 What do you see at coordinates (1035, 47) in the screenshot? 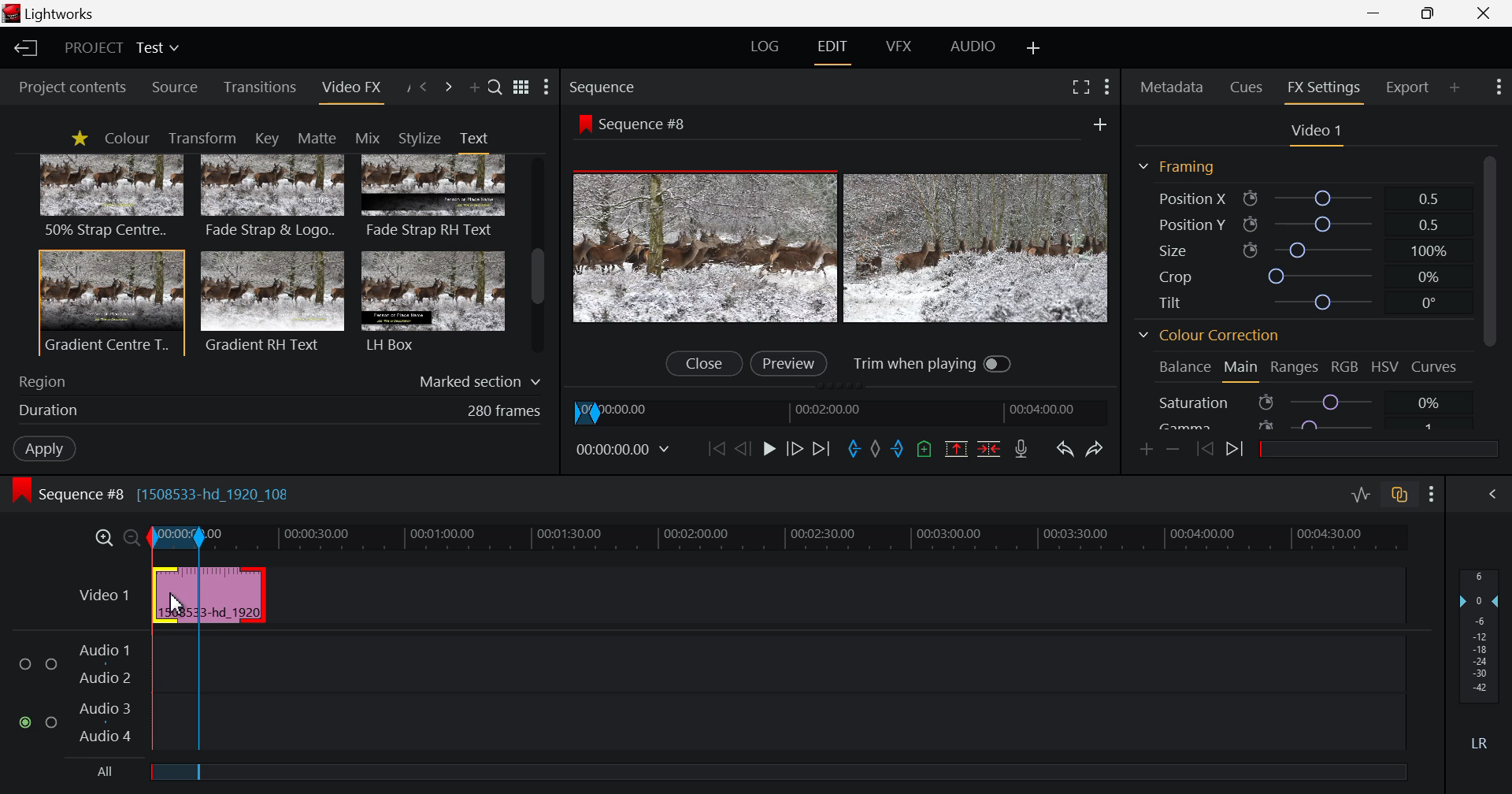
I see `Add Layout` at bounding box center [1035, 47].